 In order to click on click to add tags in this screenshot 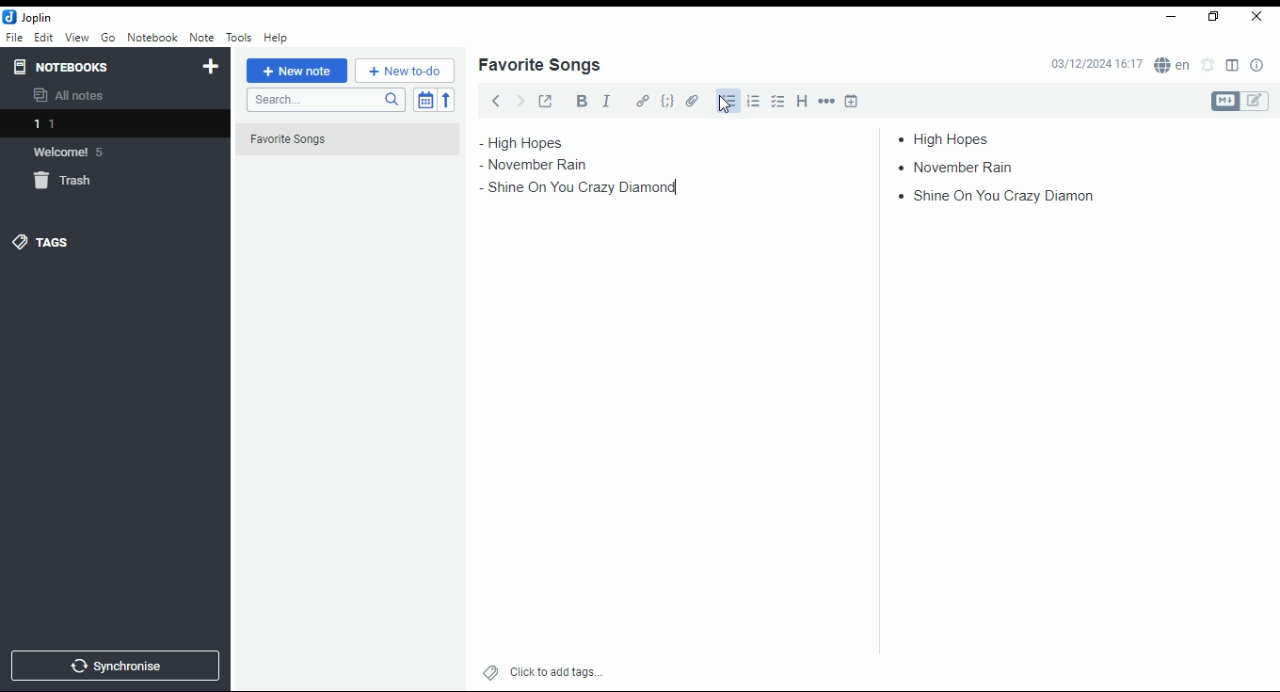, I will do `click(556, 669)`.